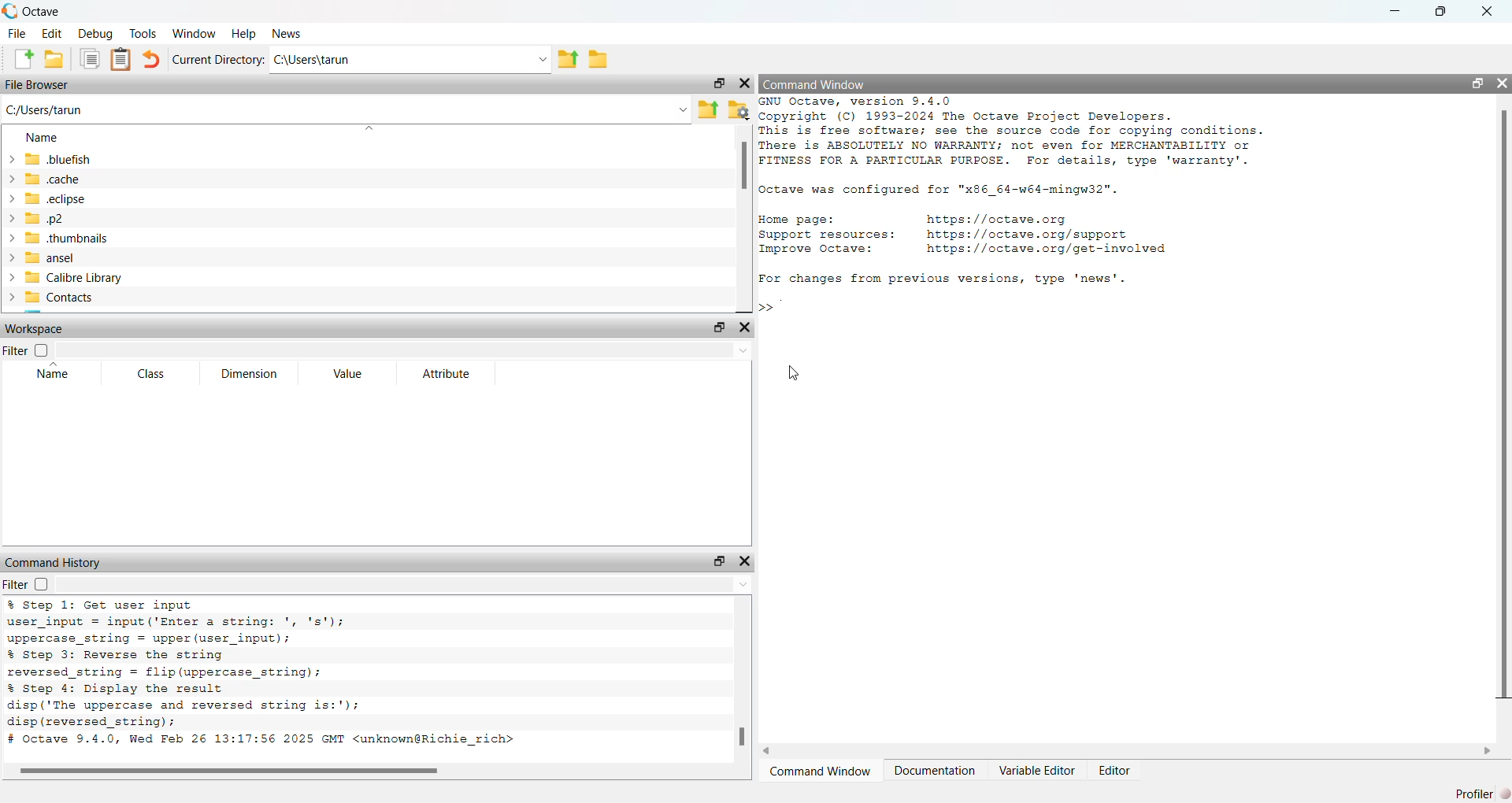 This screenshot has width=1512, height=803. Describe the element at coordinates (198, 622) in the screenshot. I see `code to convert string to uppercase` at that location.